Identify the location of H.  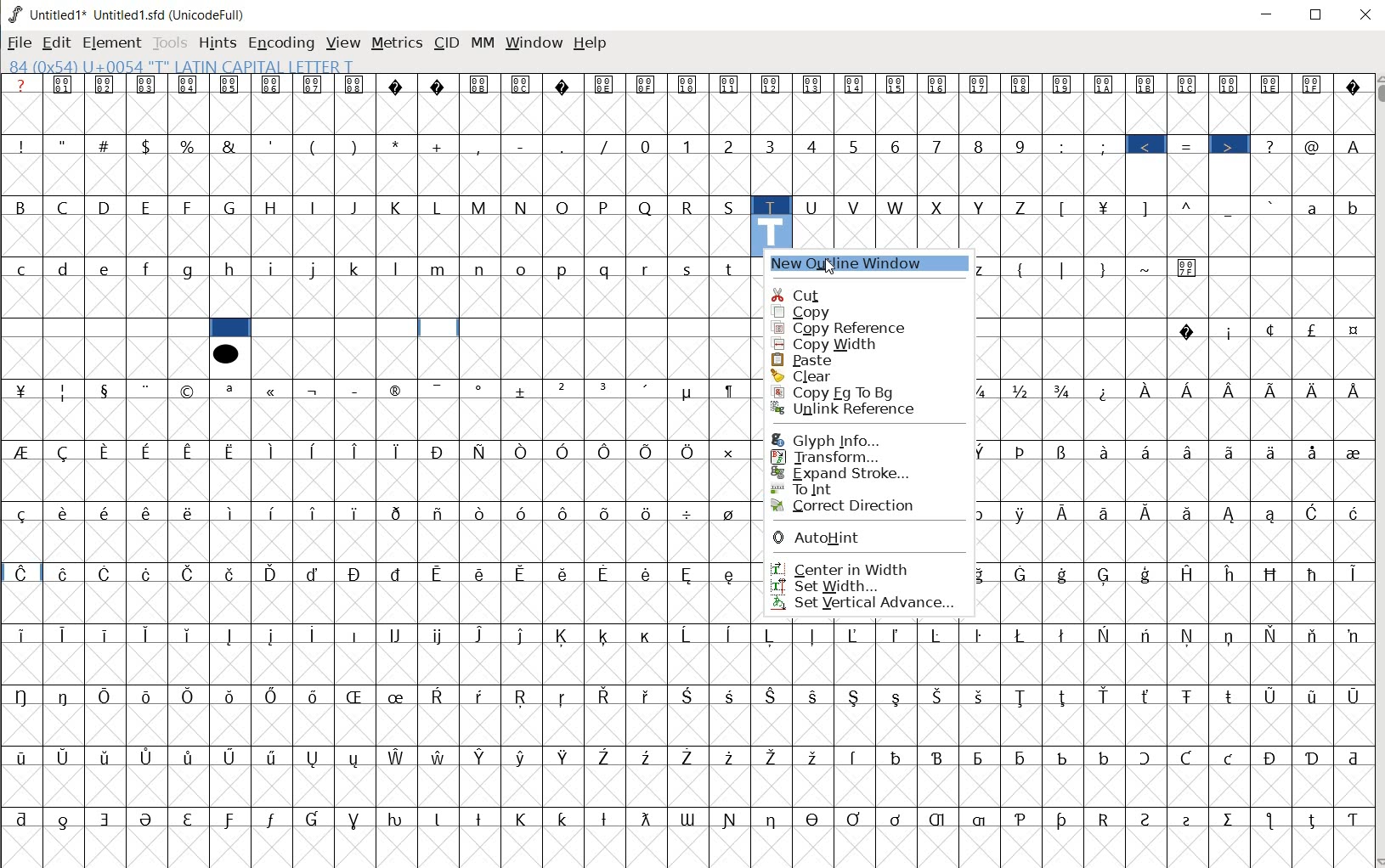
(273, 207).